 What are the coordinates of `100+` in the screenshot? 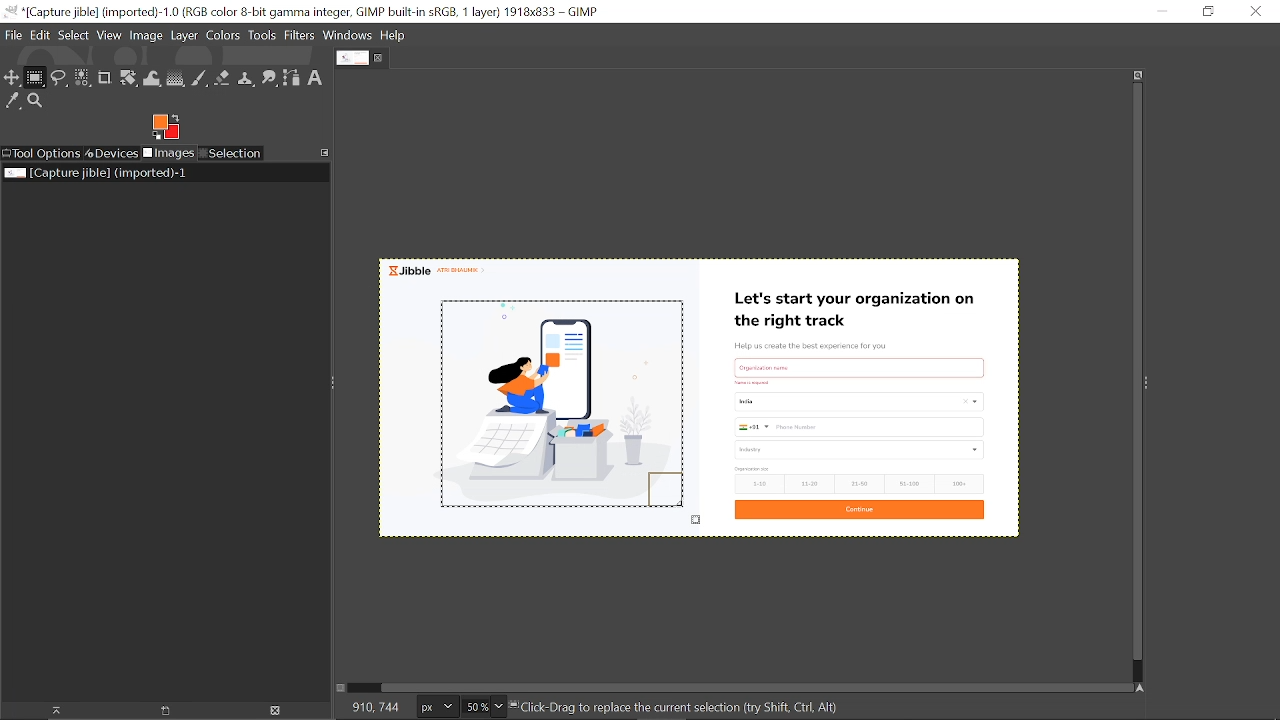 It's located at (959, 484).